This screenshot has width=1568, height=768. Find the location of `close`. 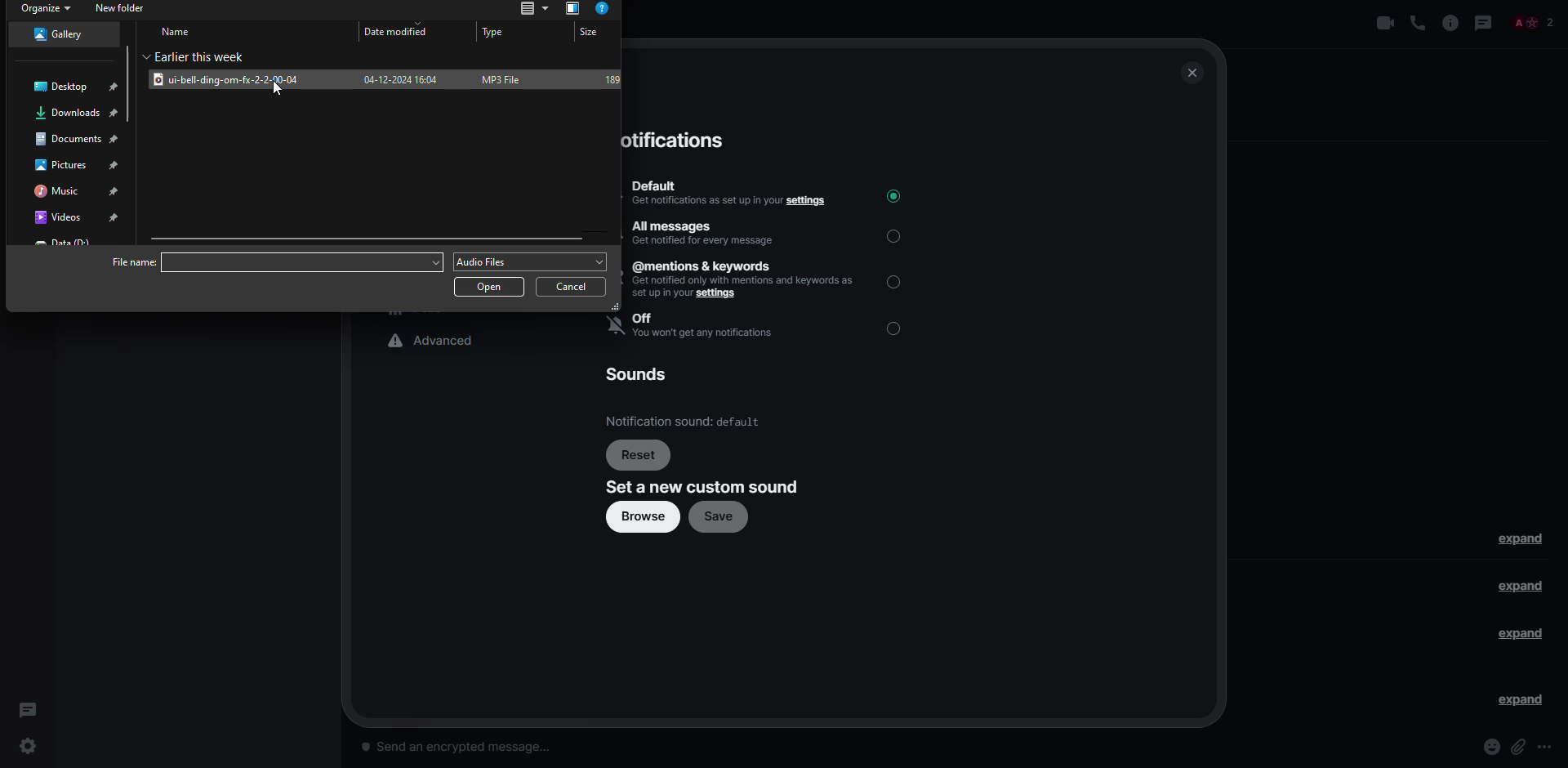

close is located at coordinates (1193, 72).